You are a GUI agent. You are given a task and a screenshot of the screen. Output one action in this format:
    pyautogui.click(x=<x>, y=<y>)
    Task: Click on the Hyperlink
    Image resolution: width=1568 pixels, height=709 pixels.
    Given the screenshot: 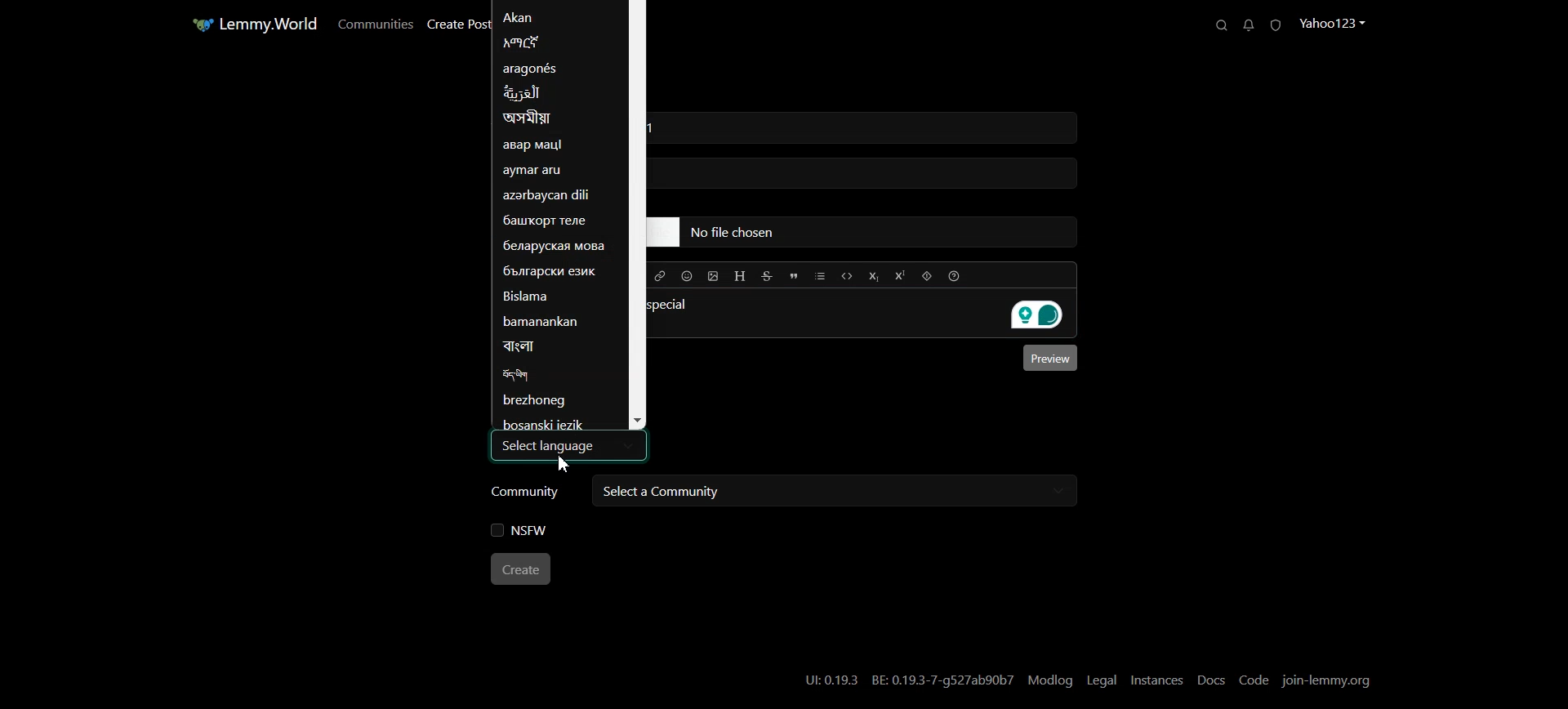 What is the action you would take?
    pyautogui.click(x=661, y=276)
    